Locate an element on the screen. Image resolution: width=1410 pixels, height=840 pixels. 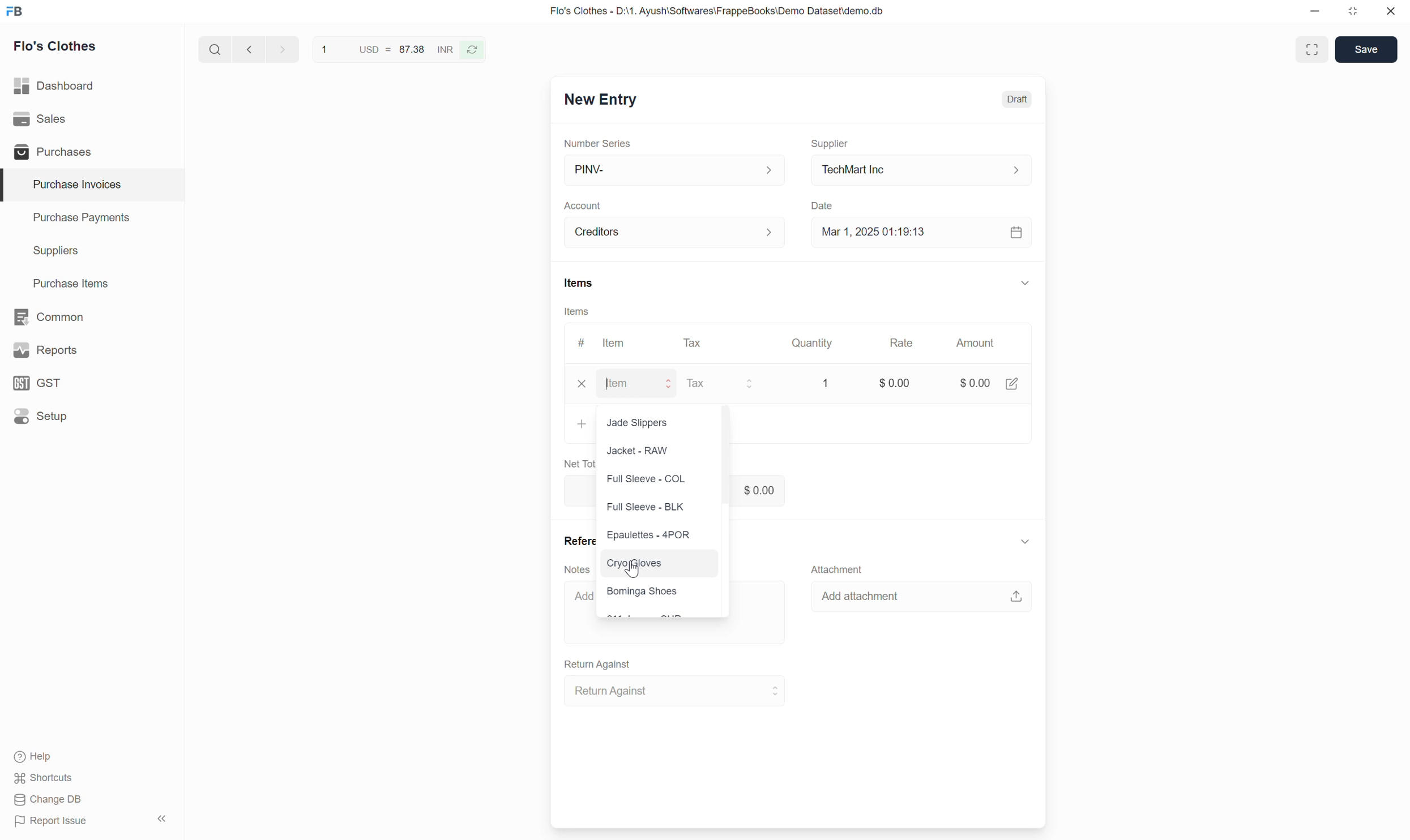
# is located at coordinates (580, 340).